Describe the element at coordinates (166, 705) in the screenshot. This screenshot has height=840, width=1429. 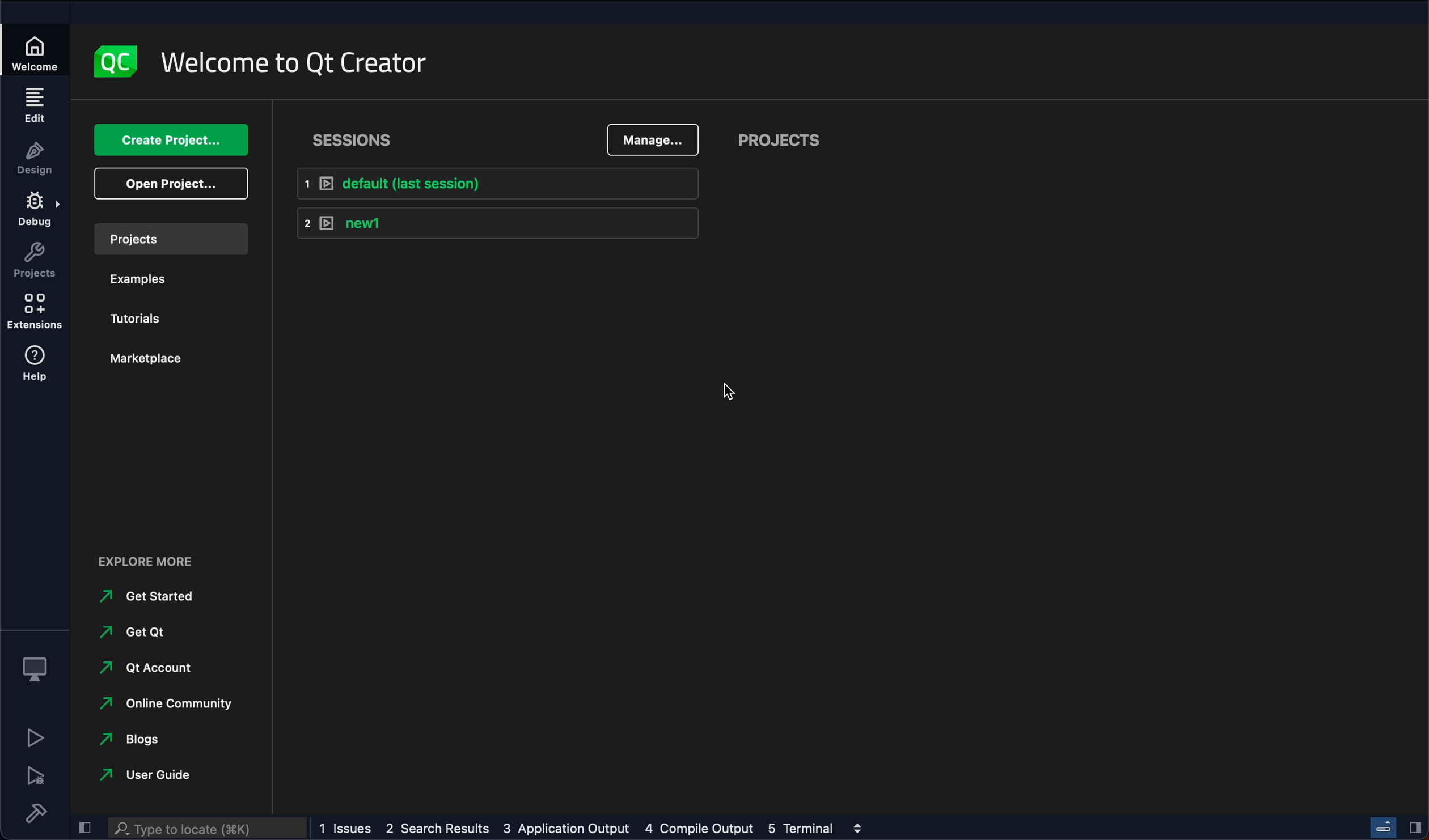
I see `online community` at that location.